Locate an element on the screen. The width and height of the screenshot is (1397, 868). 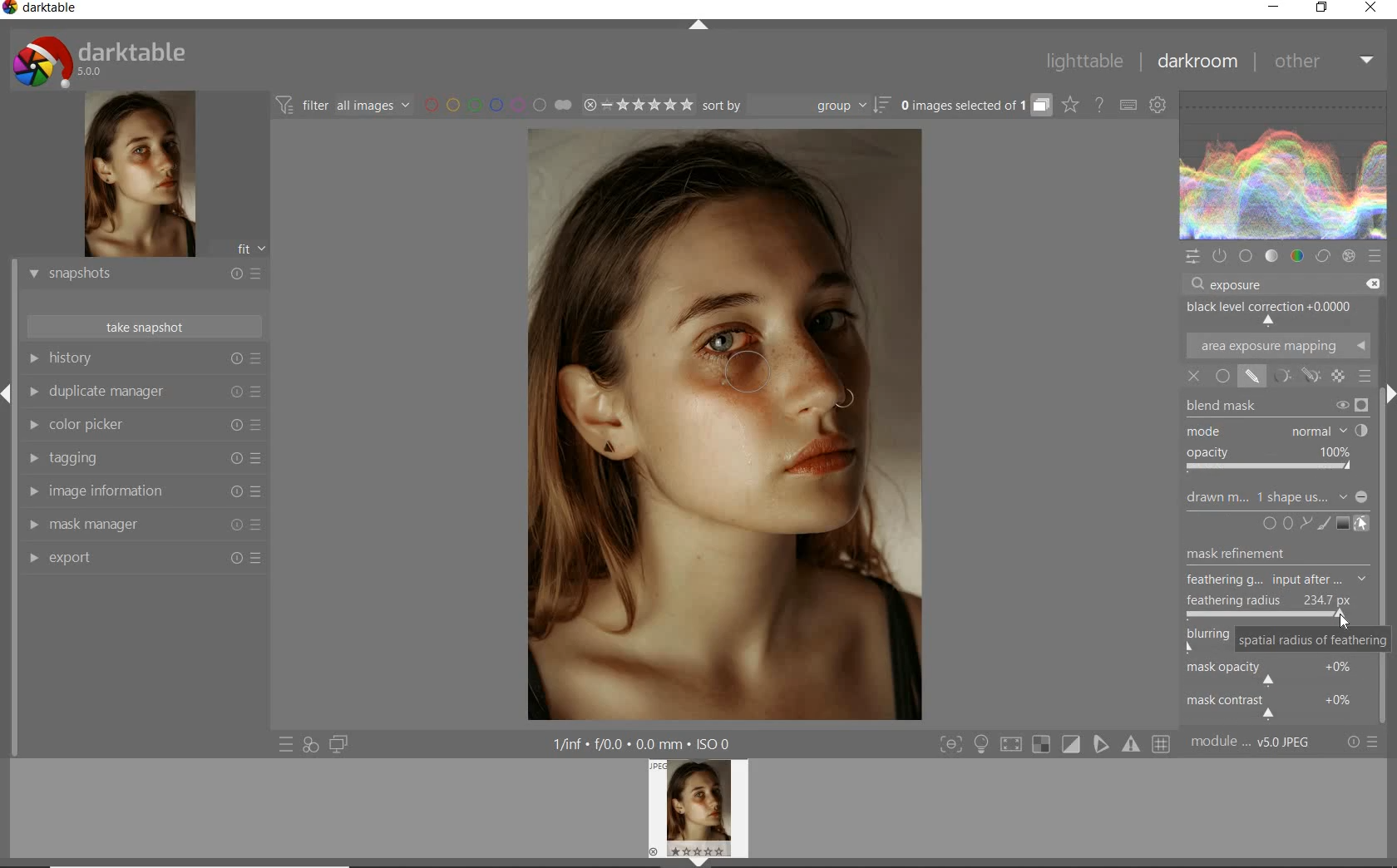
tagging is located at coordinates (143, 456).